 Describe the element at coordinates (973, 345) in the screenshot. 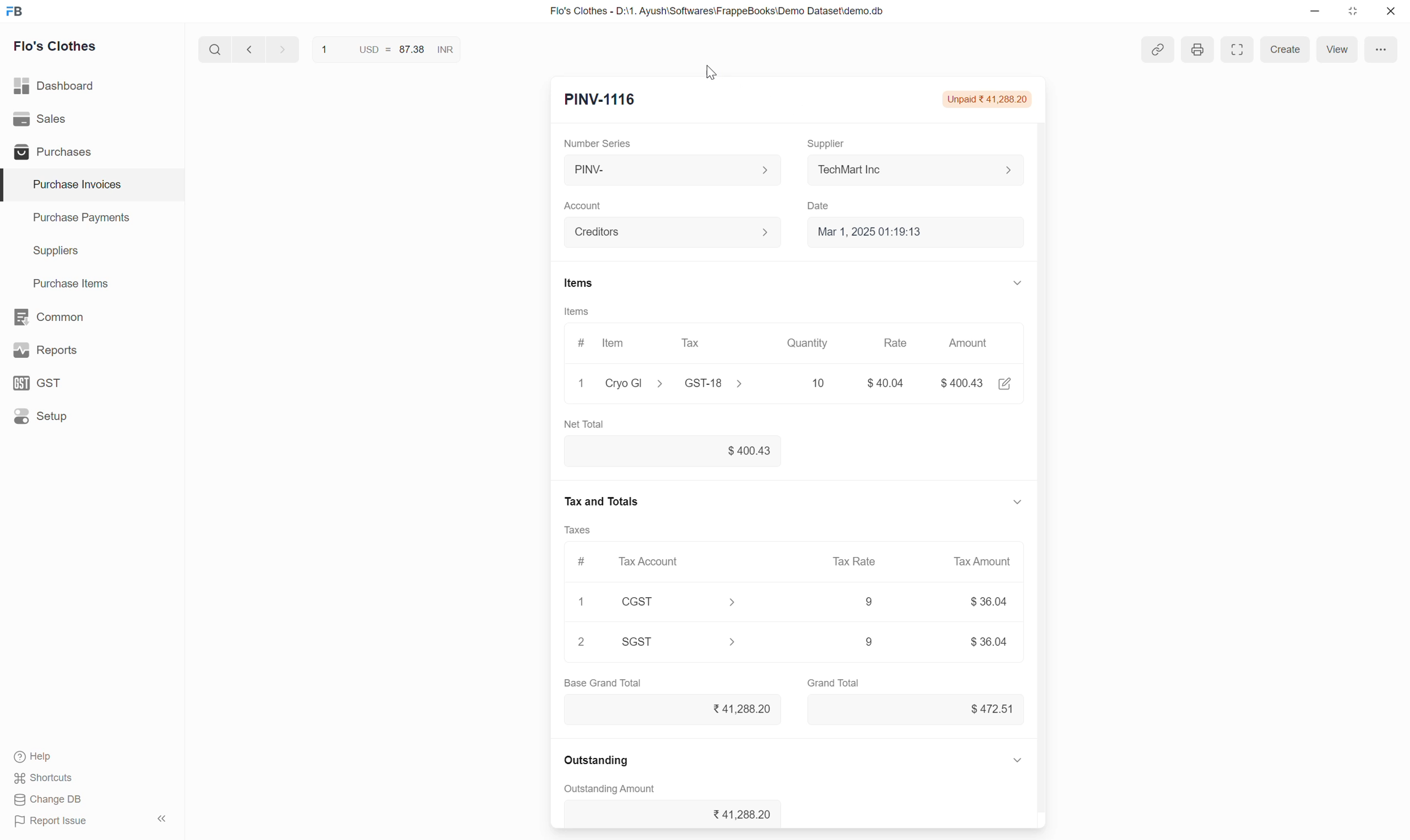

I see `Amount` at that location.